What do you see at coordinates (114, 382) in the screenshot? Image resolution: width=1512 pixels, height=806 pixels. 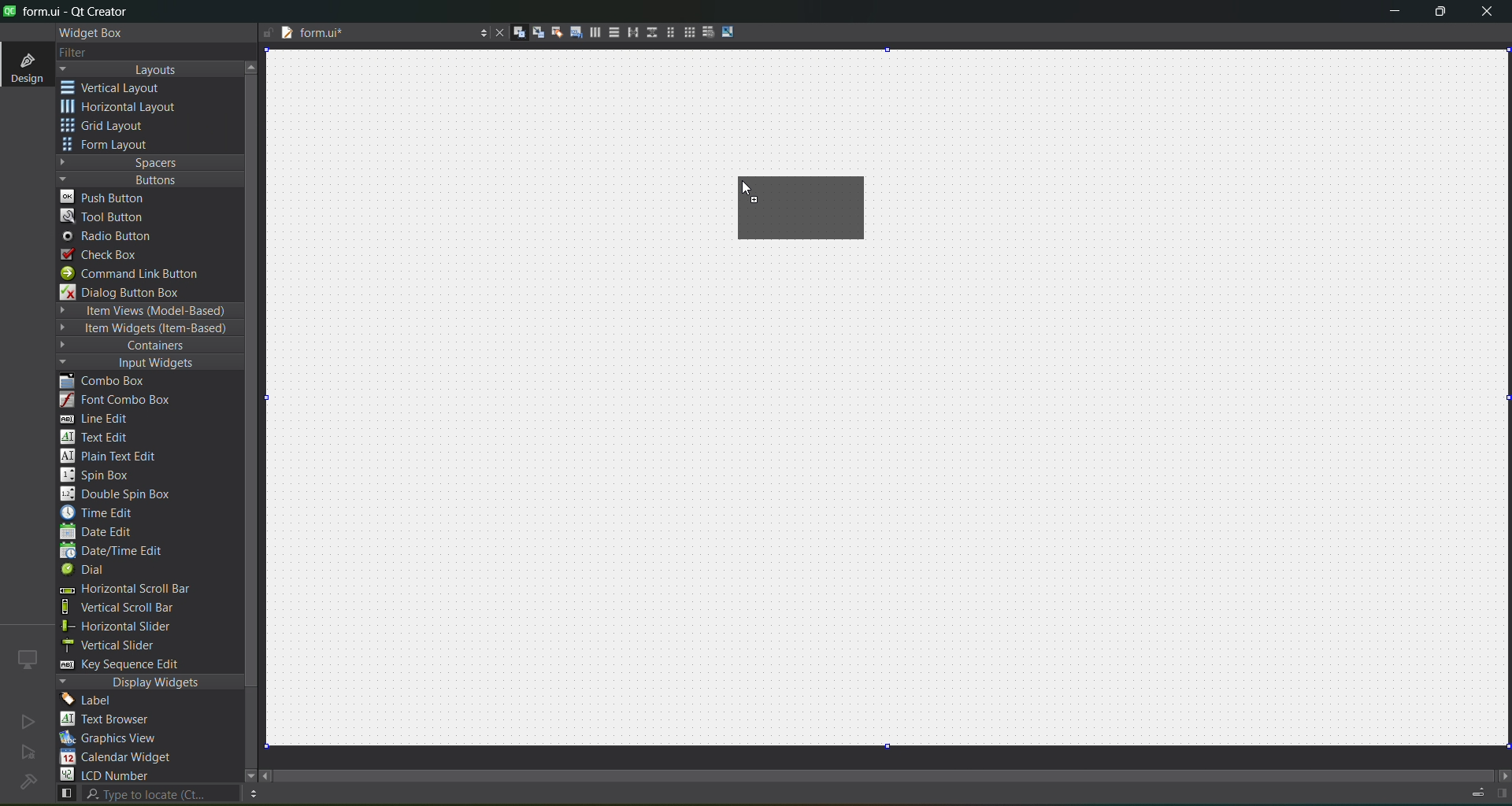 I see `combo box` at bounding box center [114, 382].